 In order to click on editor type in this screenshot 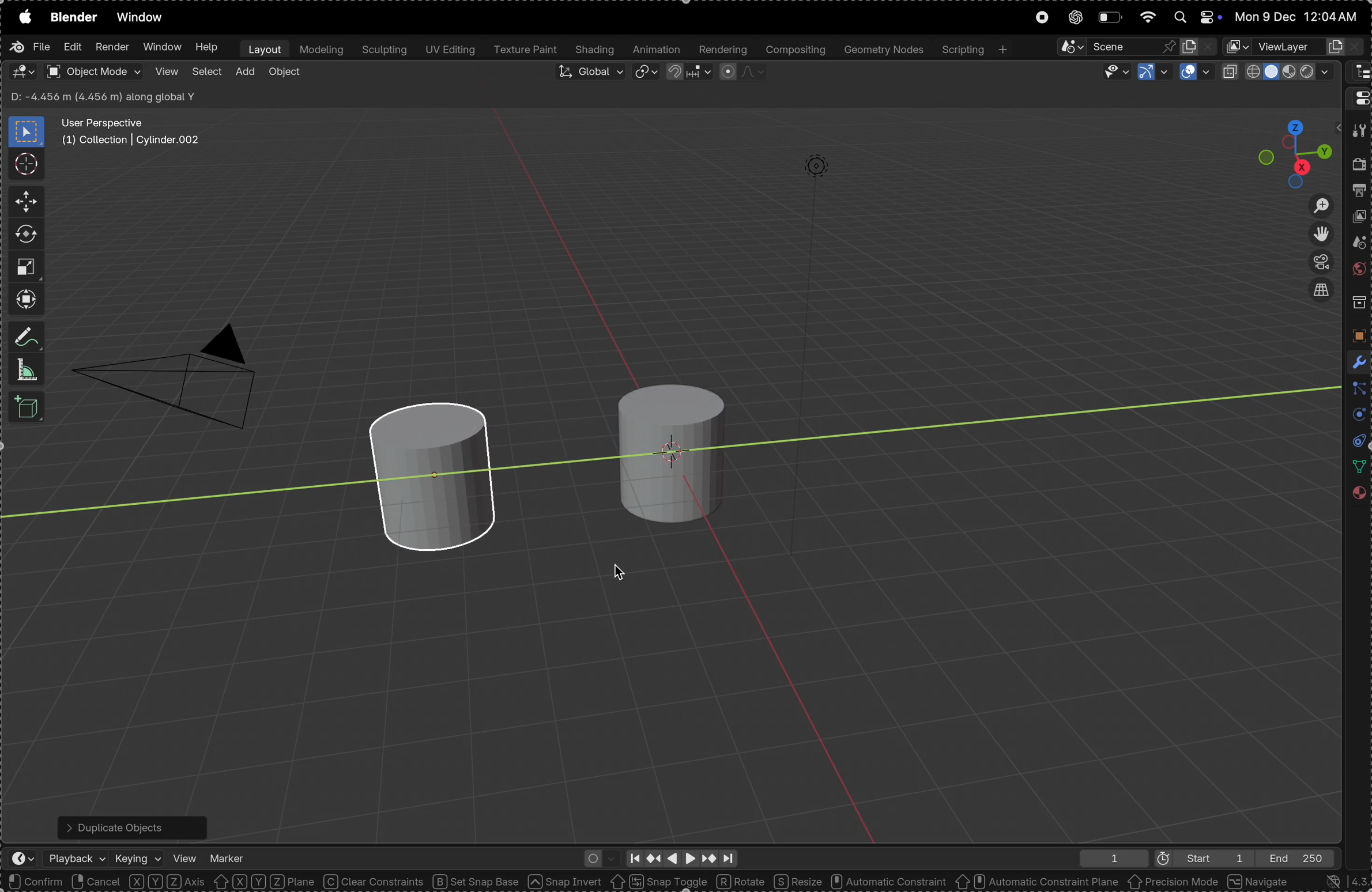, I will do `click(1358, 73)`.